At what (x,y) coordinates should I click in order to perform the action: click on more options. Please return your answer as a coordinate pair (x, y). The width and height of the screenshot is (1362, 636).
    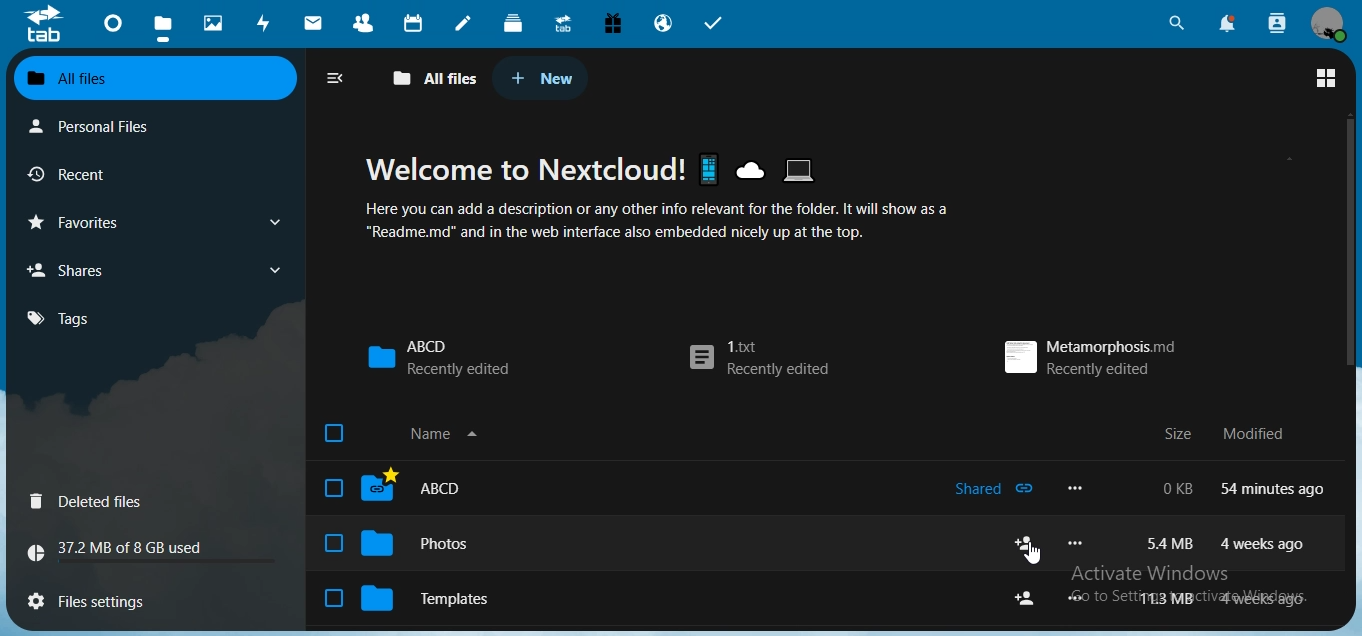
    Looking at the image, I should click on (1080, 488).